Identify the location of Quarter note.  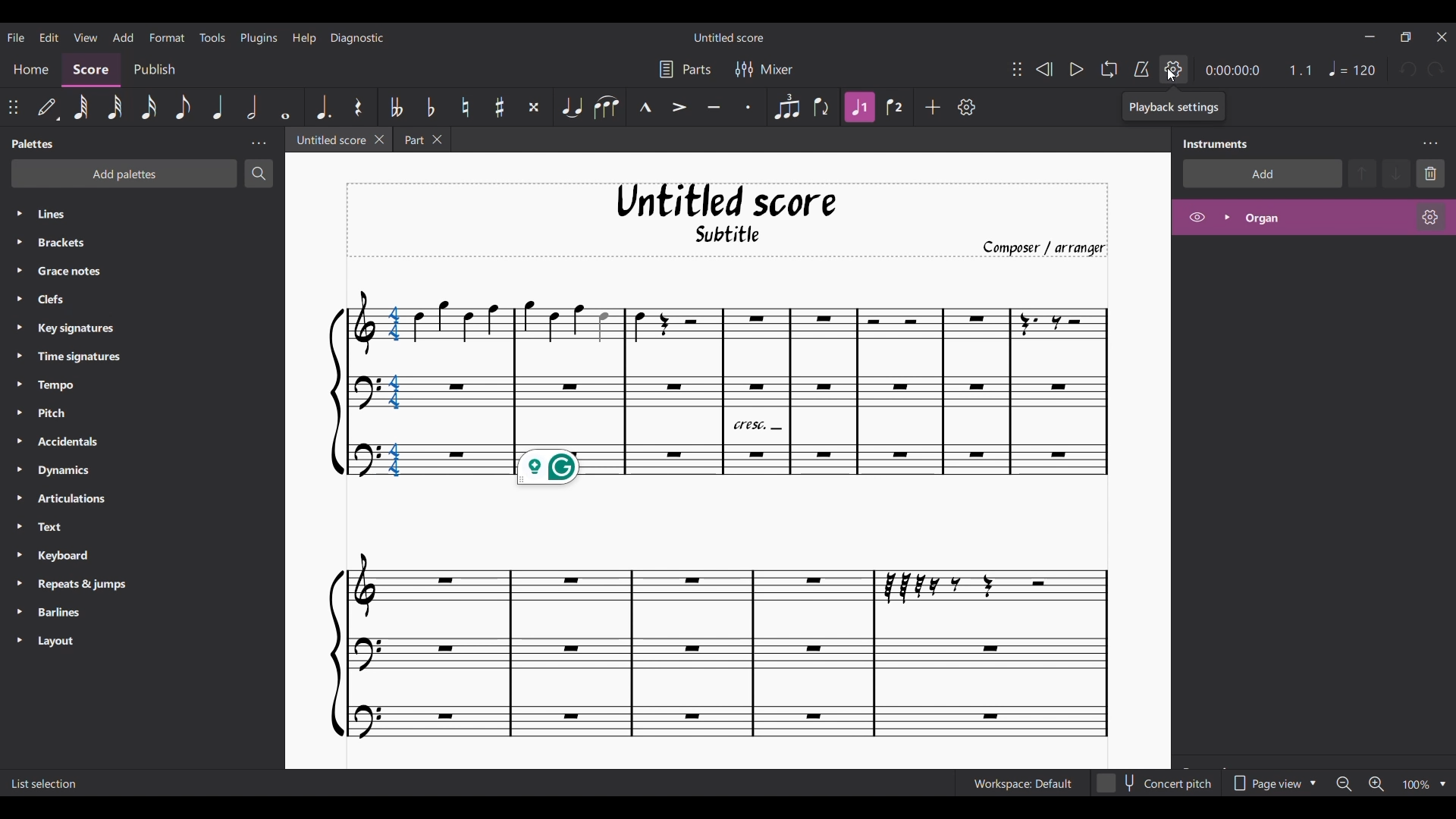
(218, 107).